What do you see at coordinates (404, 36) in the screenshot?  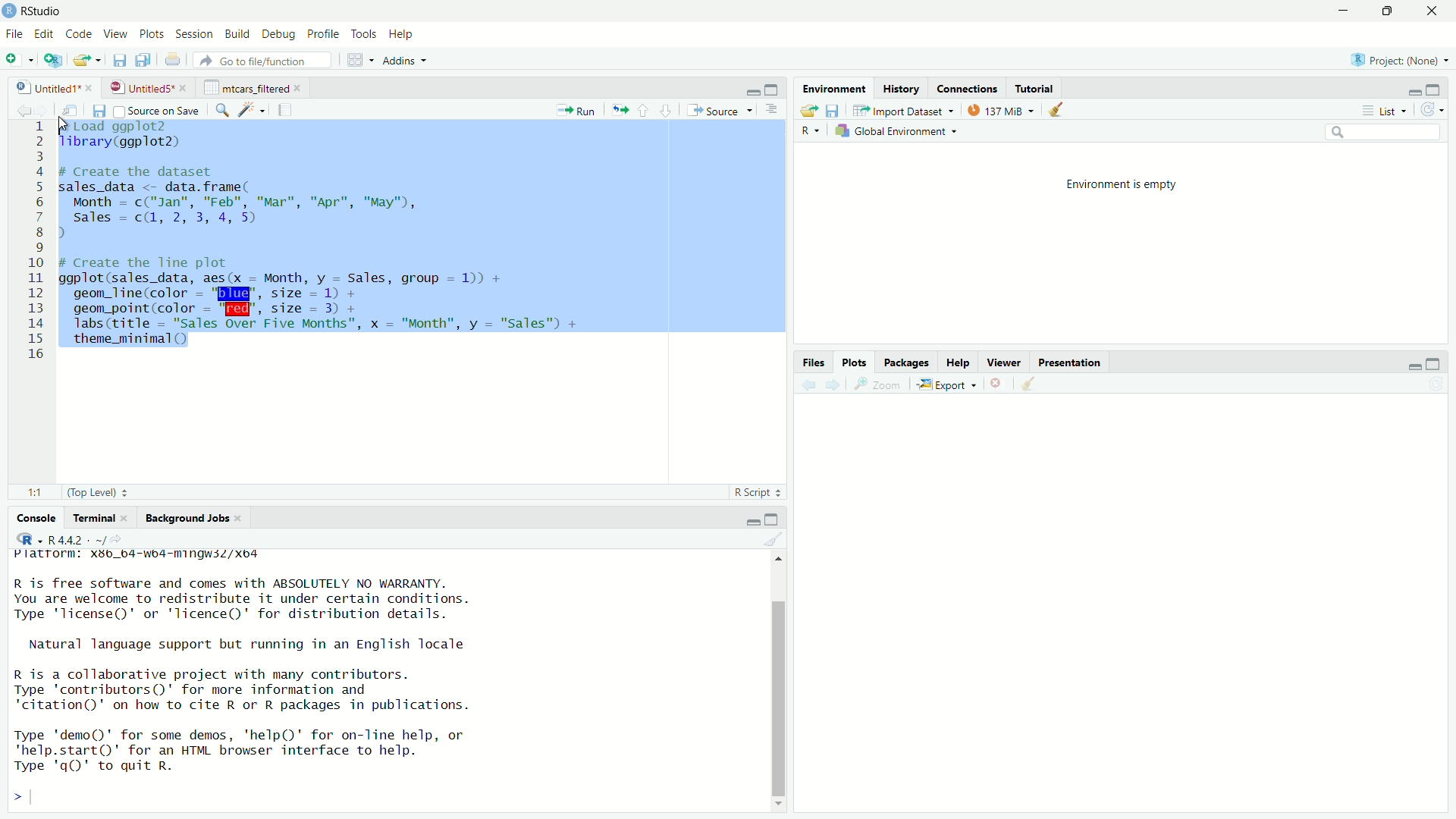 I see `help` at bounding box center [404, 36].